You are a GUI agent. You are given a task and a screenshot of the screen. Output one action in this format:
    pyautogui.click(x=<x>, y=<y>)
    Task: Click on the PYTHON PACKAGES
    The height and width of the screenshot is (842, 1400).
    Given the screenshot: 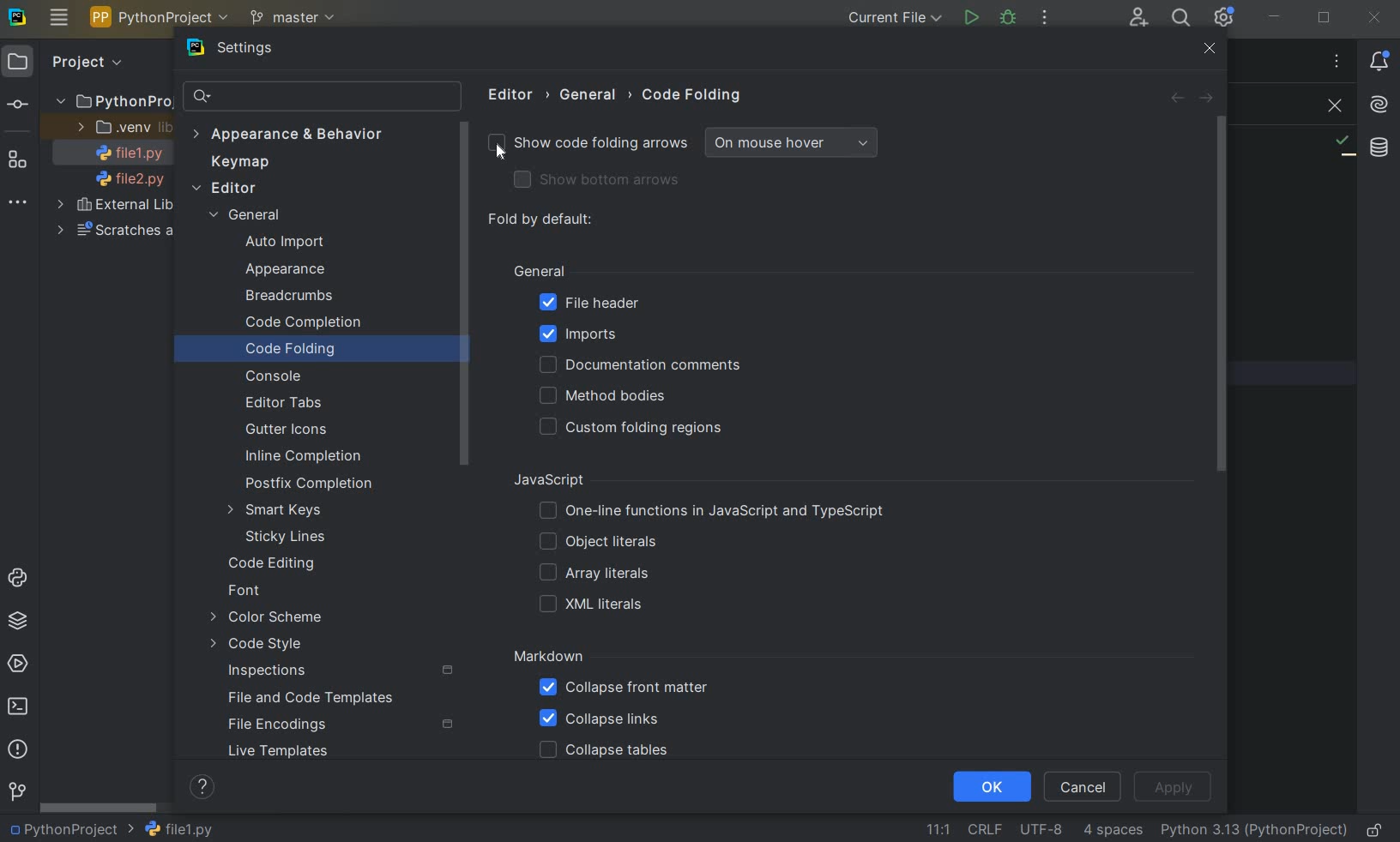 What is the action you would take?
    pyautogui.click(x=22, y=622)
    